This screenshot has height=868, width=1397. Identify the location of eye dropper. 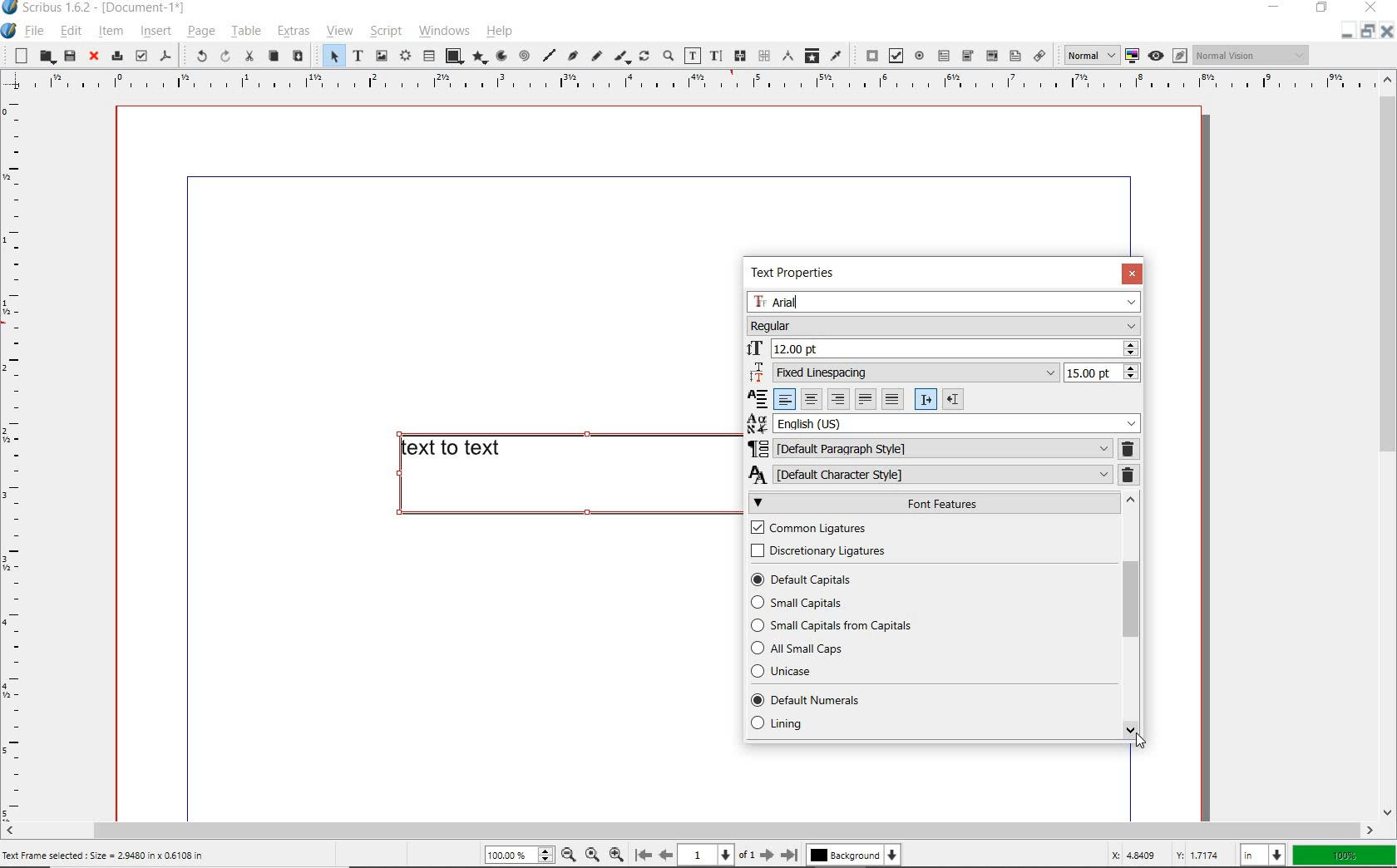
(837, 55).